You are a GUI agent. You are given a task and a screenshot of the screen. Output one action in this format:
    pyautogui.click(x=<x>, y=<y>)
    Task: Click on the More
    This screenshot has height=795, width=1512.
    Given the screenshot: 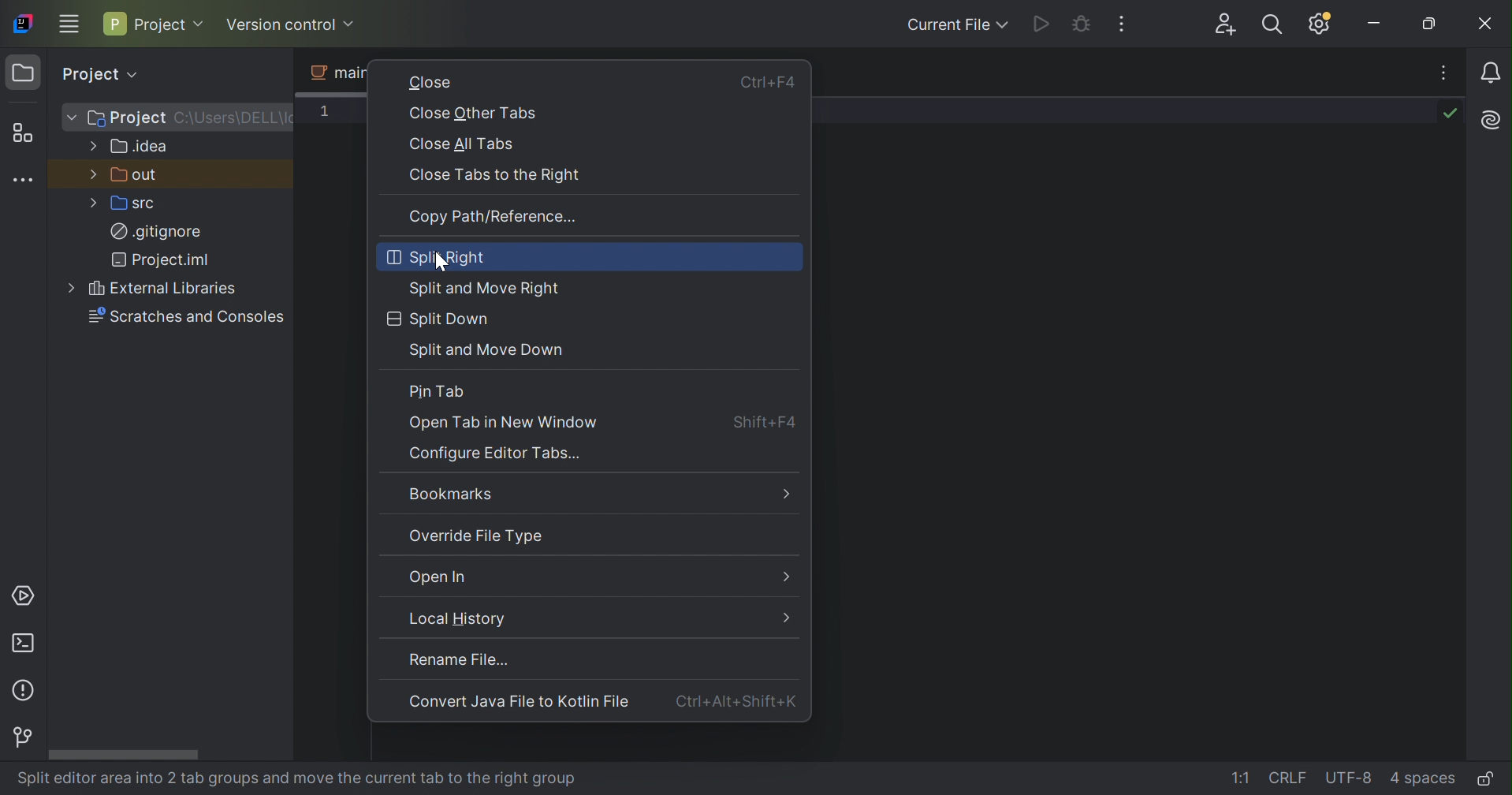 What is the action you would take?
    pyautogui.click(x=789, y=618)
    